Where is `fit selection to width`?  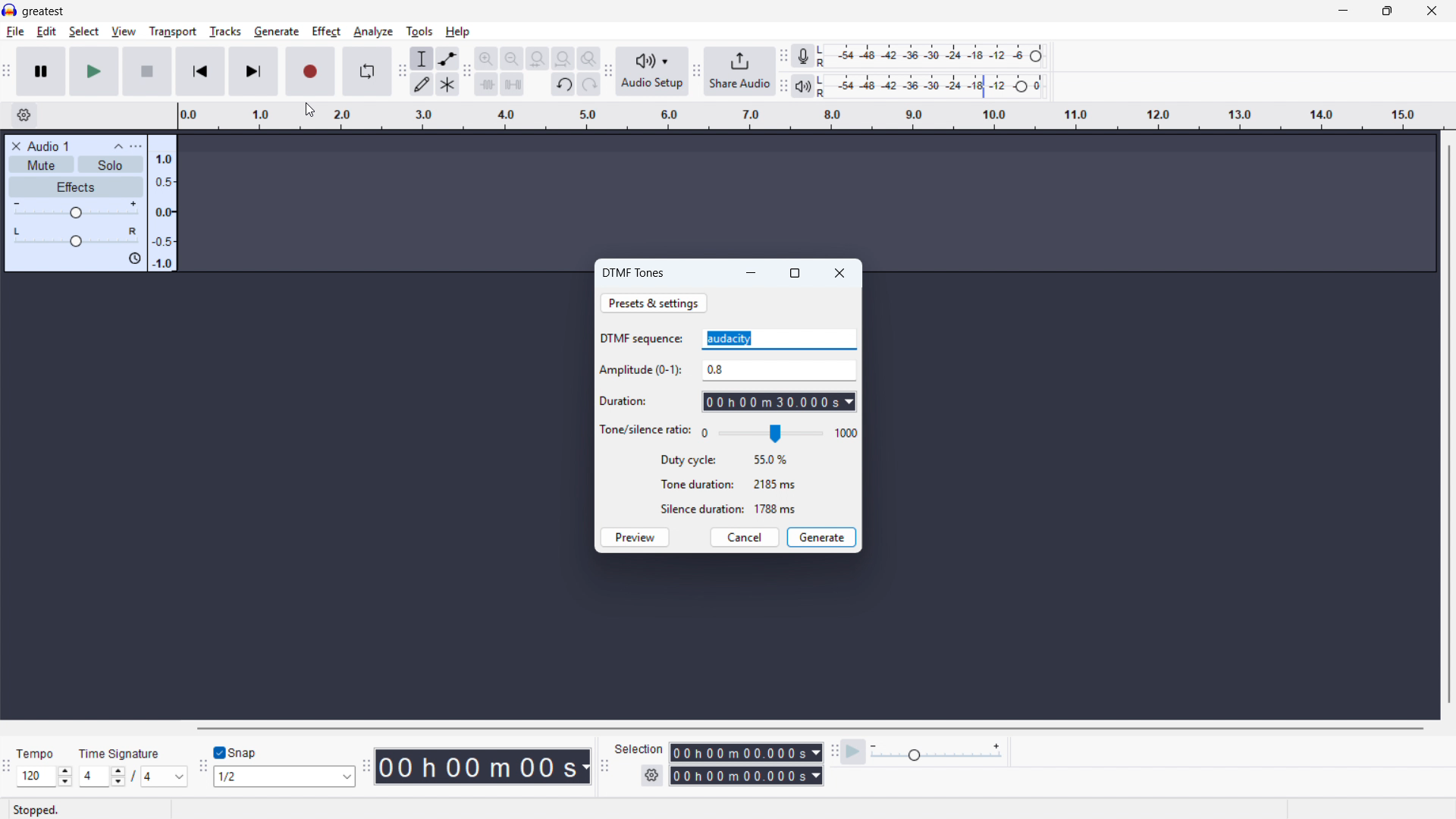 fit selection to width is located at coordinates (538, 58).